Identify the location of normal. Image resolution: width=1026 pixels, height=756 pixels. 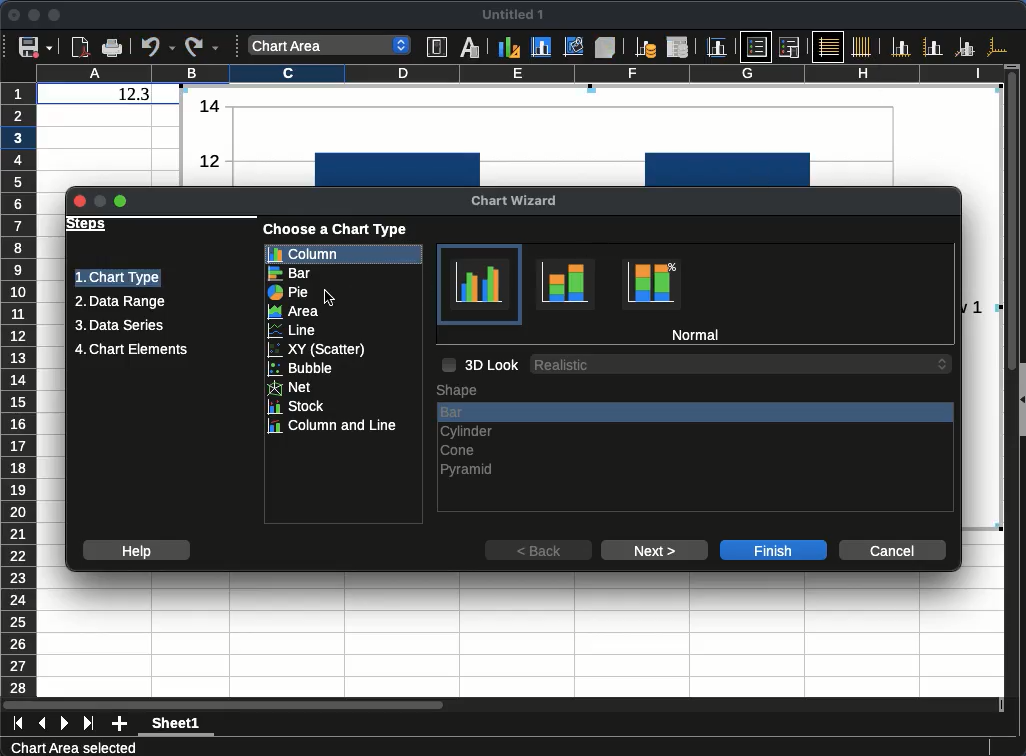
(696, 334).